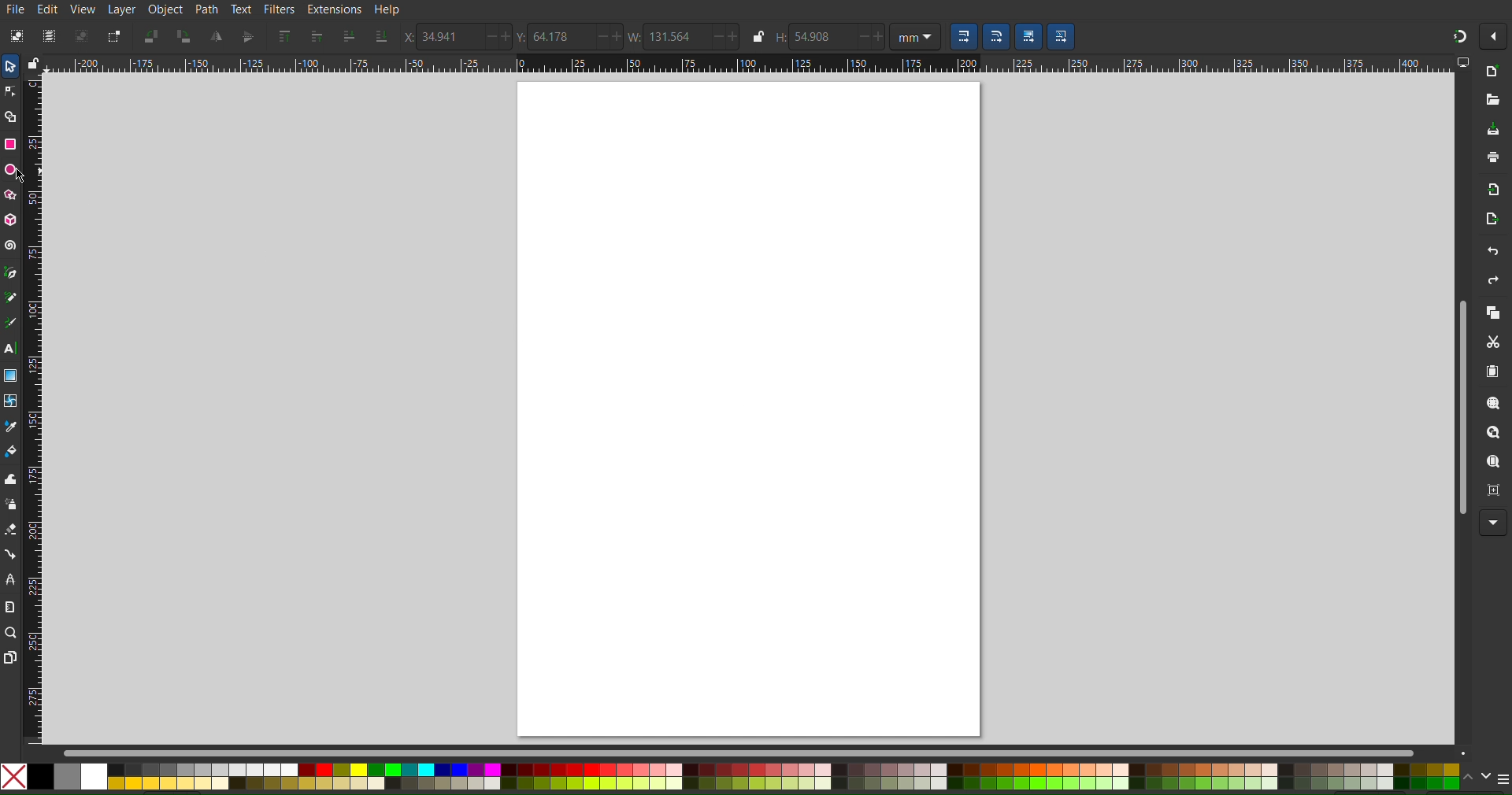 The width and height of the screenshot is (1512, 795). Describe the element at coordinates (672, 36) in the screenshot. I see `131` at that location.